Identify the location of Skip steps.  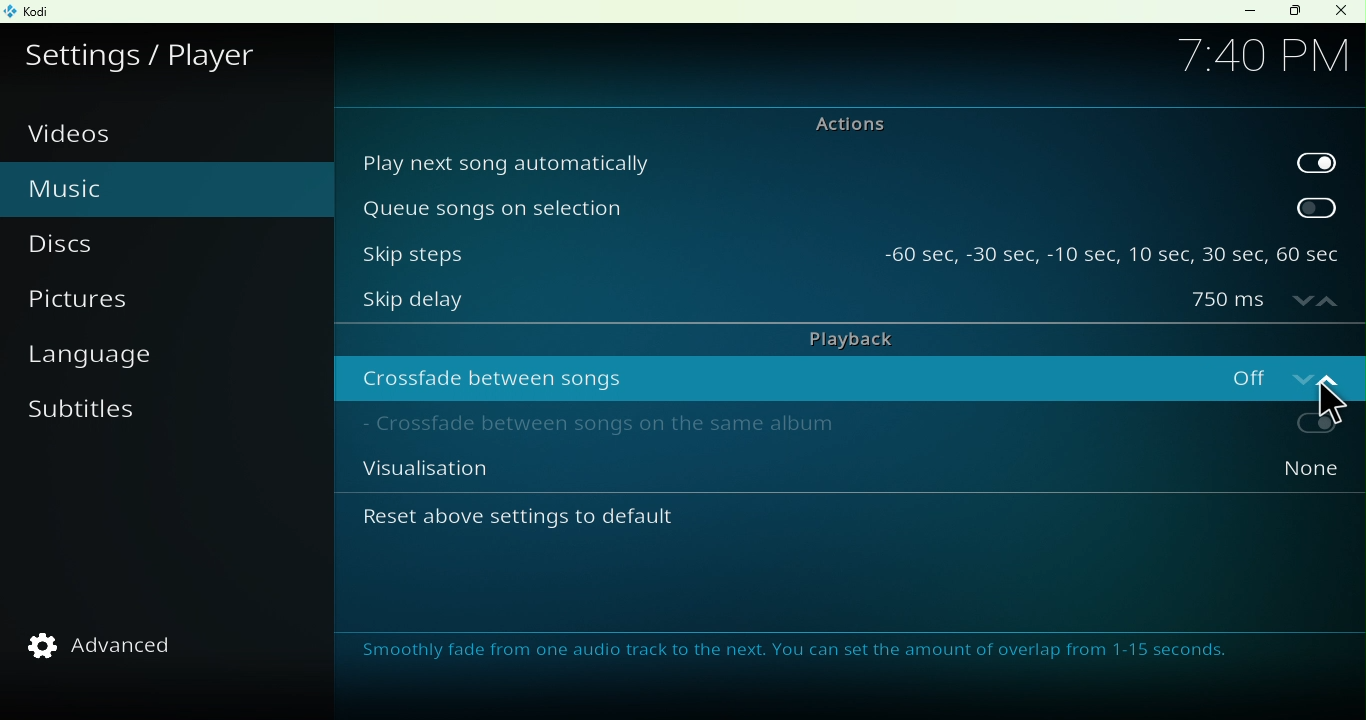
(606, 248).